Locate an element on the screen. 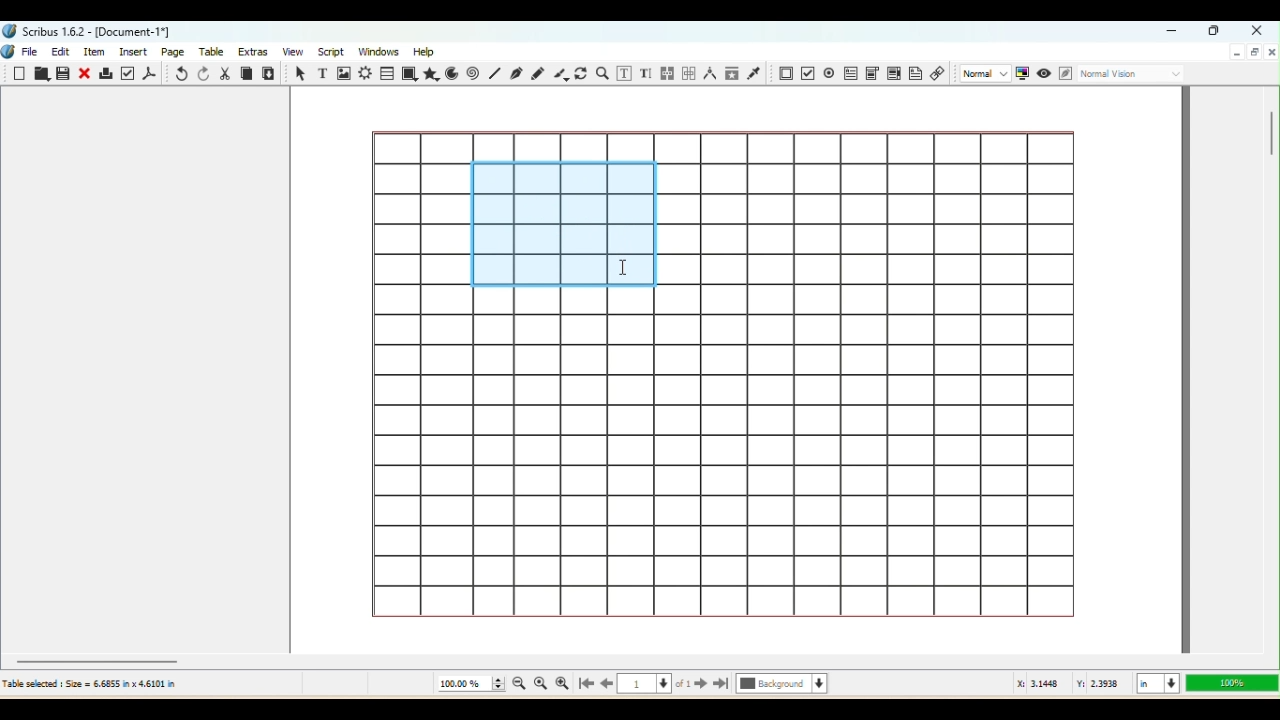 The height and width of the screenshot is (720, 1280). File is located at coordinates (33, 50).